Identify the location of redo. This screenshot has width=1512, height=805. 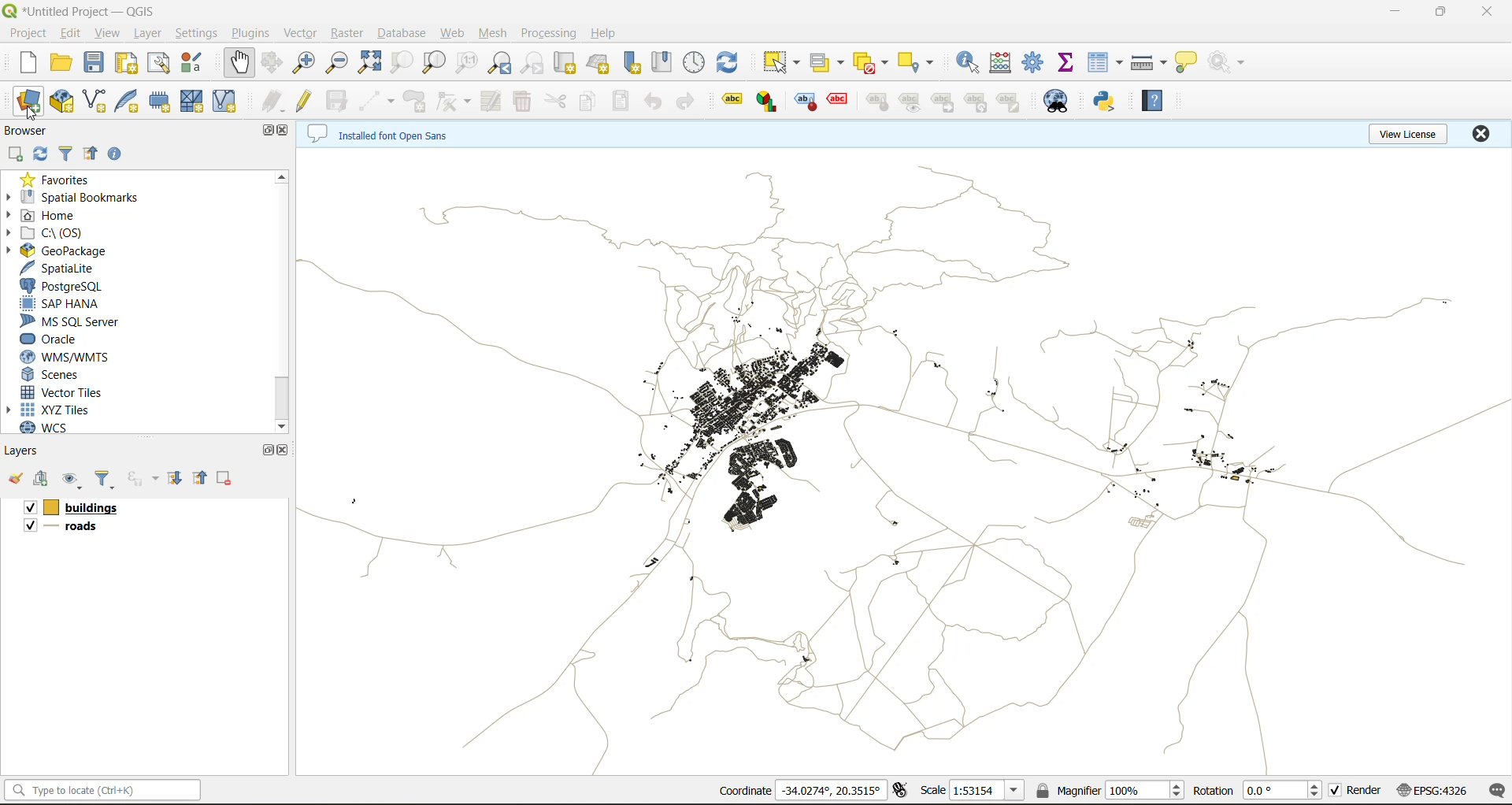
(689, 104).